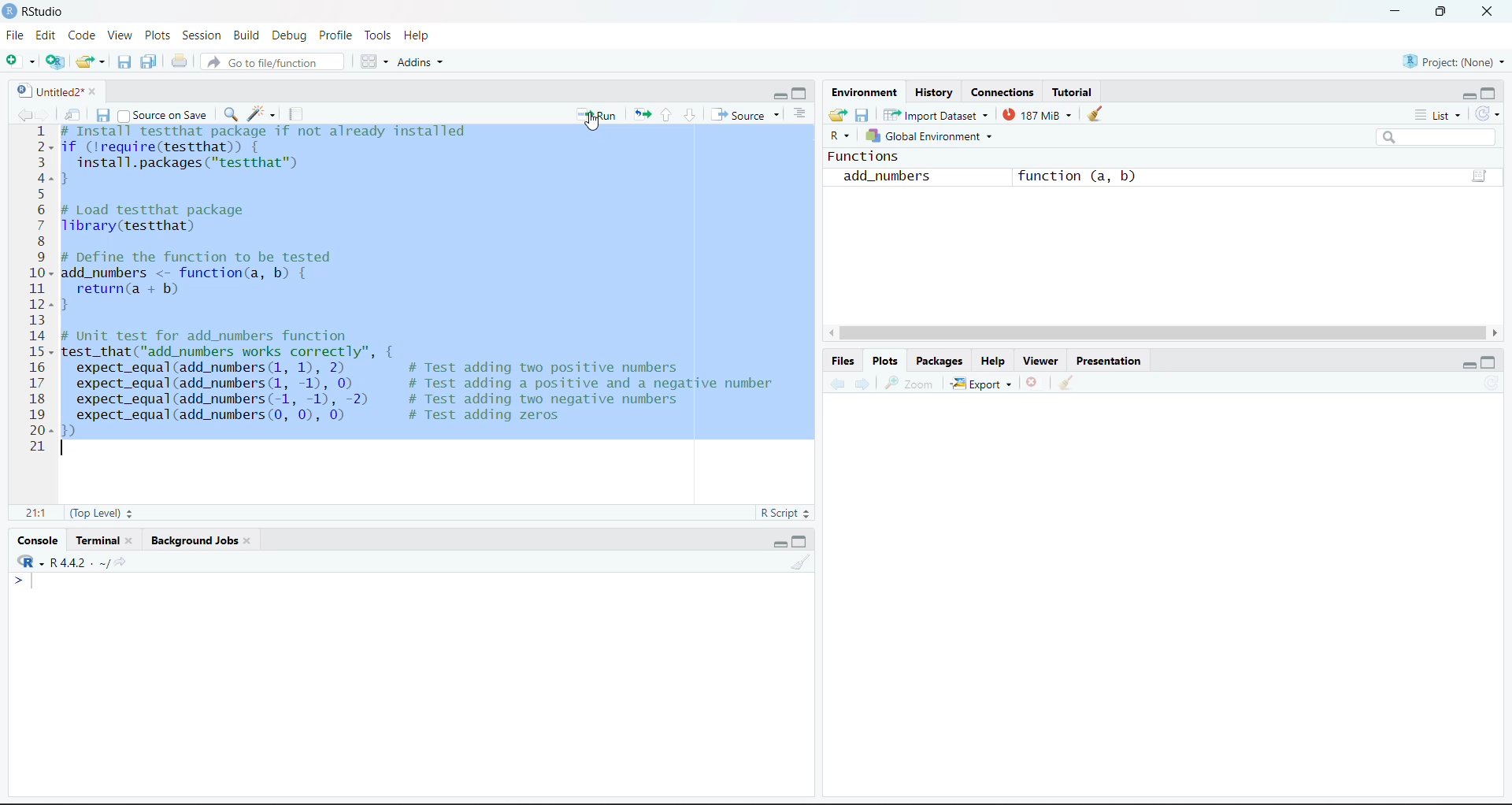 This screenshot has height=805, width=1512. What do you see at coordinates (99, 540) in the screenshot?
I see `Terminal` at bounding box center [99, 540].